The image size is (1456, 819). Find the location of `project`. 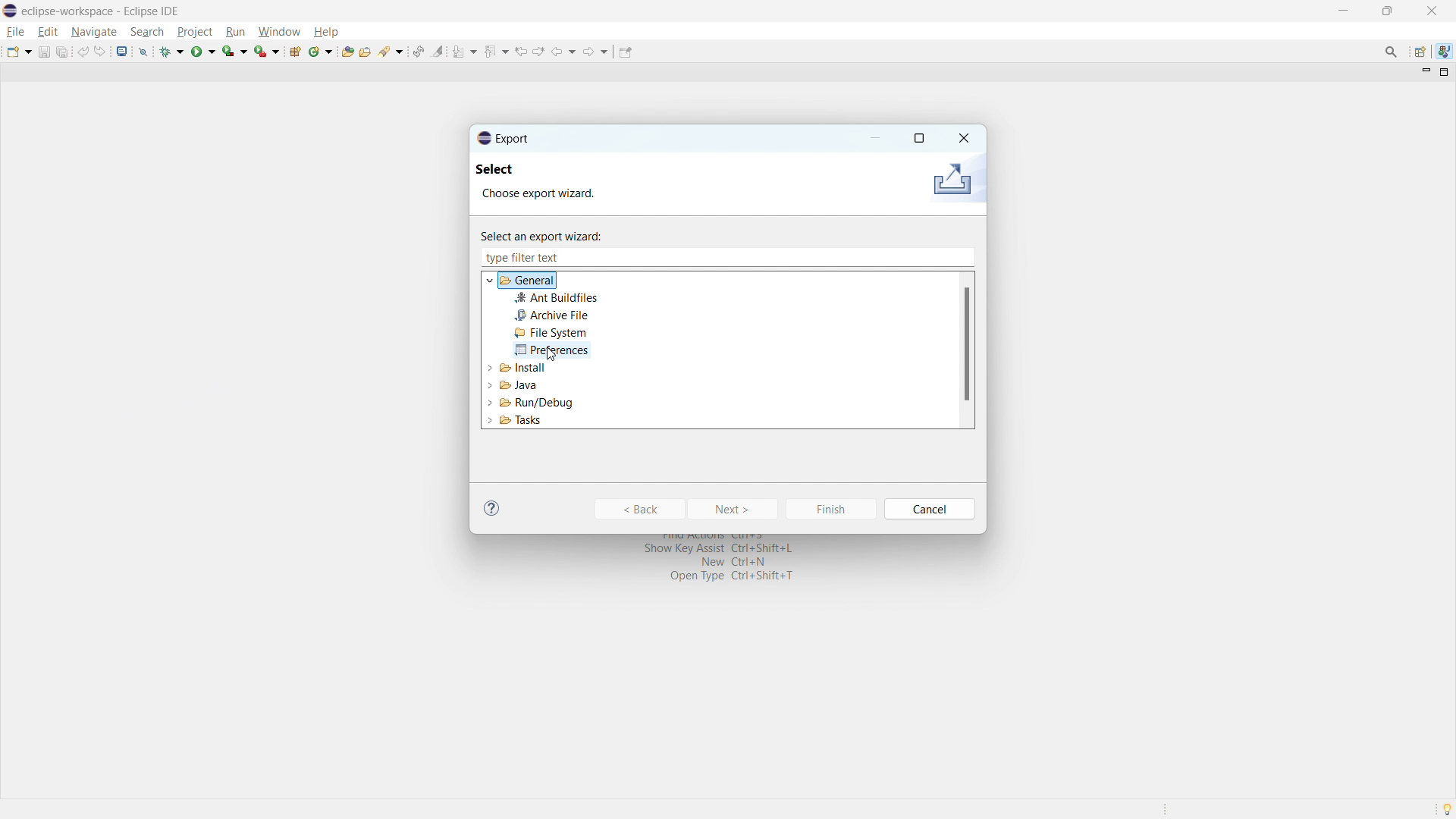

project is located at coordinates (194, 31).